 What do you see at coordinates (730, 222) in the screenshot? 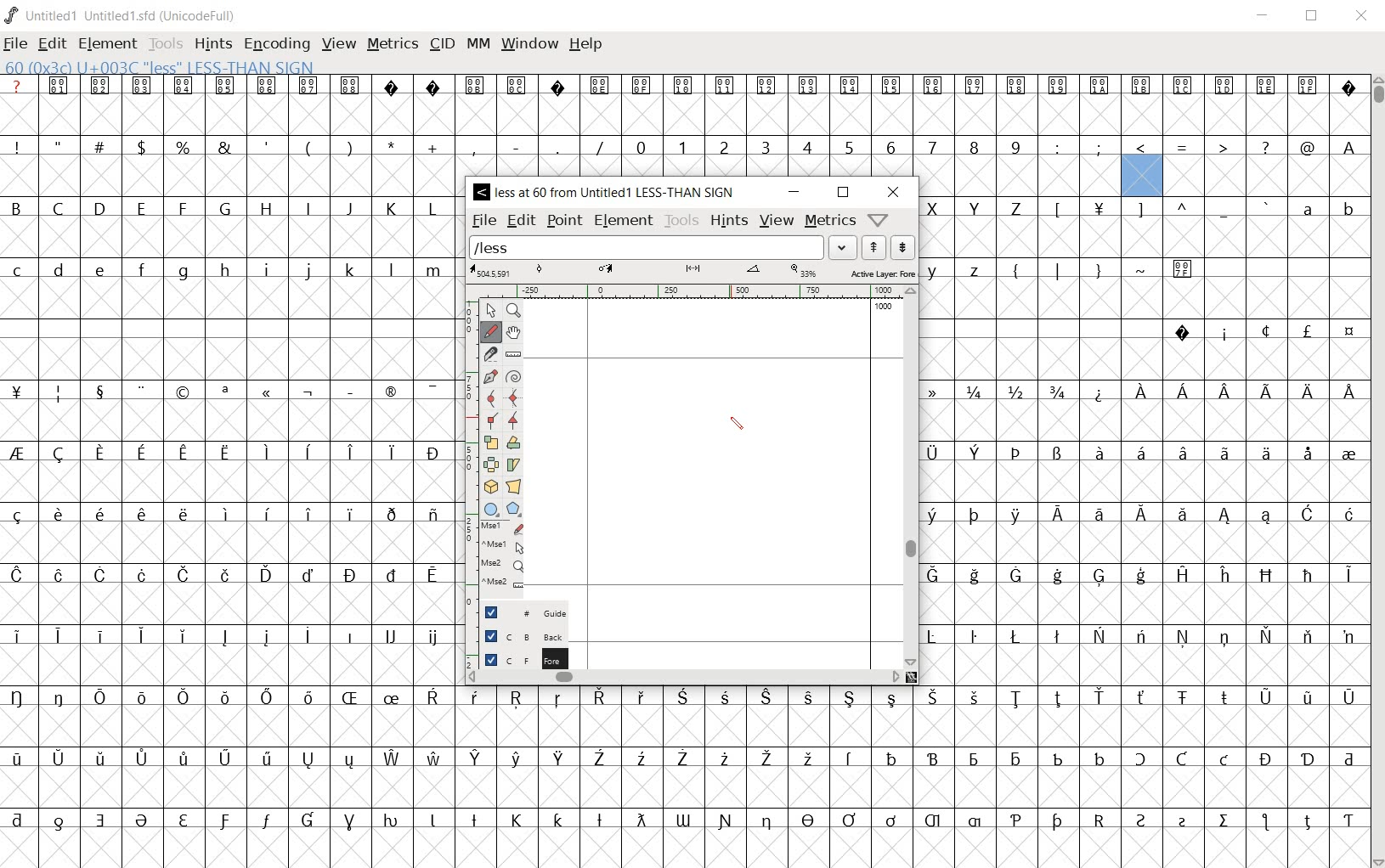
I see `hints` at bounding box center [730, 222].